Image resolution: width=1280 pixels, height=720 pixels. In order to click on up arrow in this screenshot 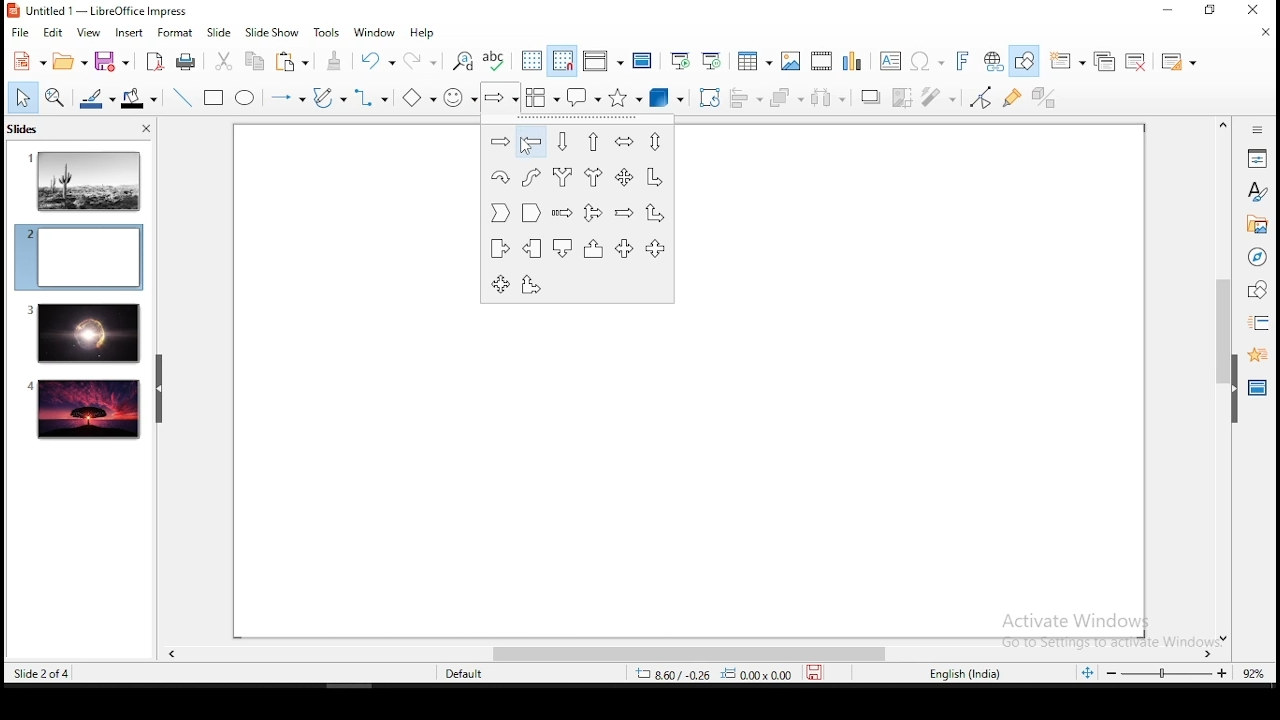, I will do `click(594, 141)`.